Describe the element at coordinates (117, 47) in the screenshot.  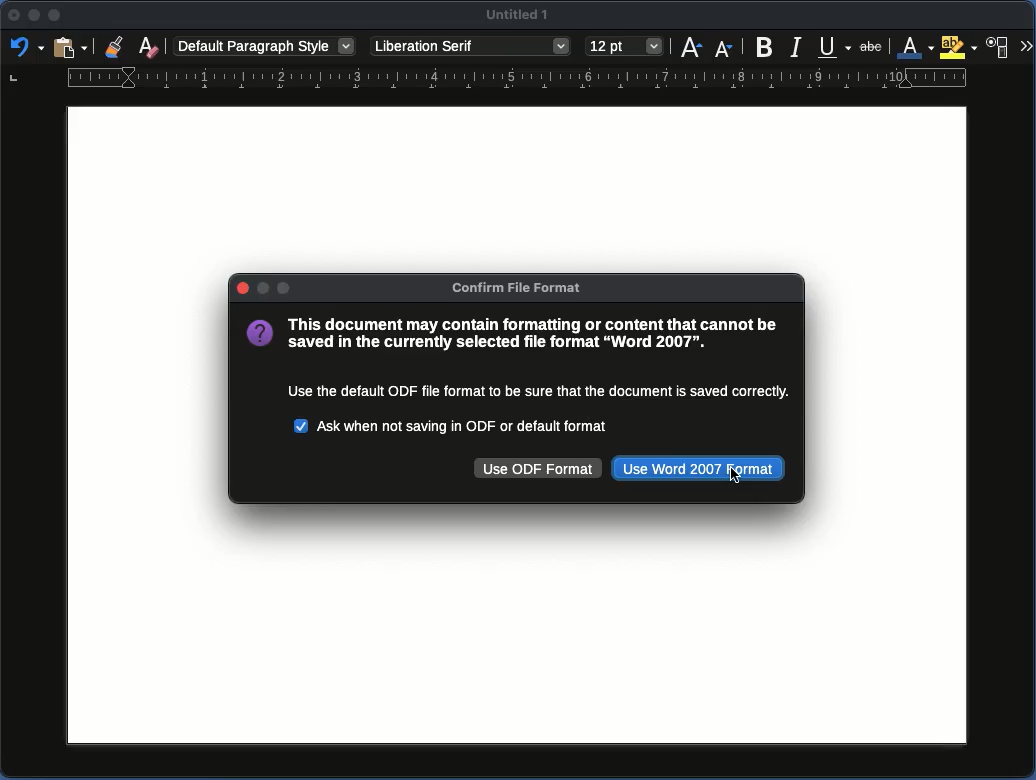
I see `Clone formatting` at that location.